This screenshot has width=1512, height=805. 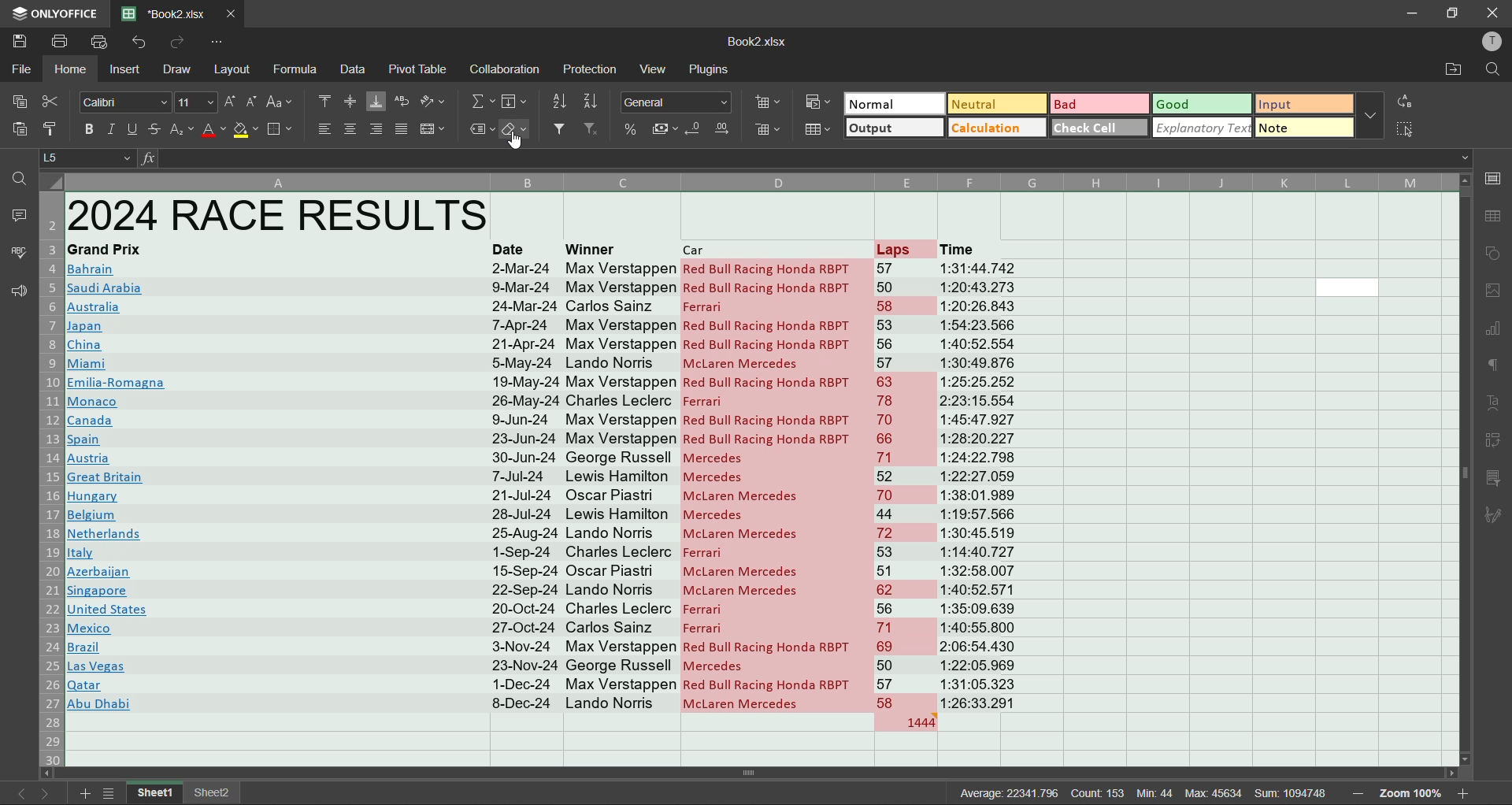 What do you see at coordinates (435, 103) in the screenshot?
I see `orientation` at bounding box center [435, 103].